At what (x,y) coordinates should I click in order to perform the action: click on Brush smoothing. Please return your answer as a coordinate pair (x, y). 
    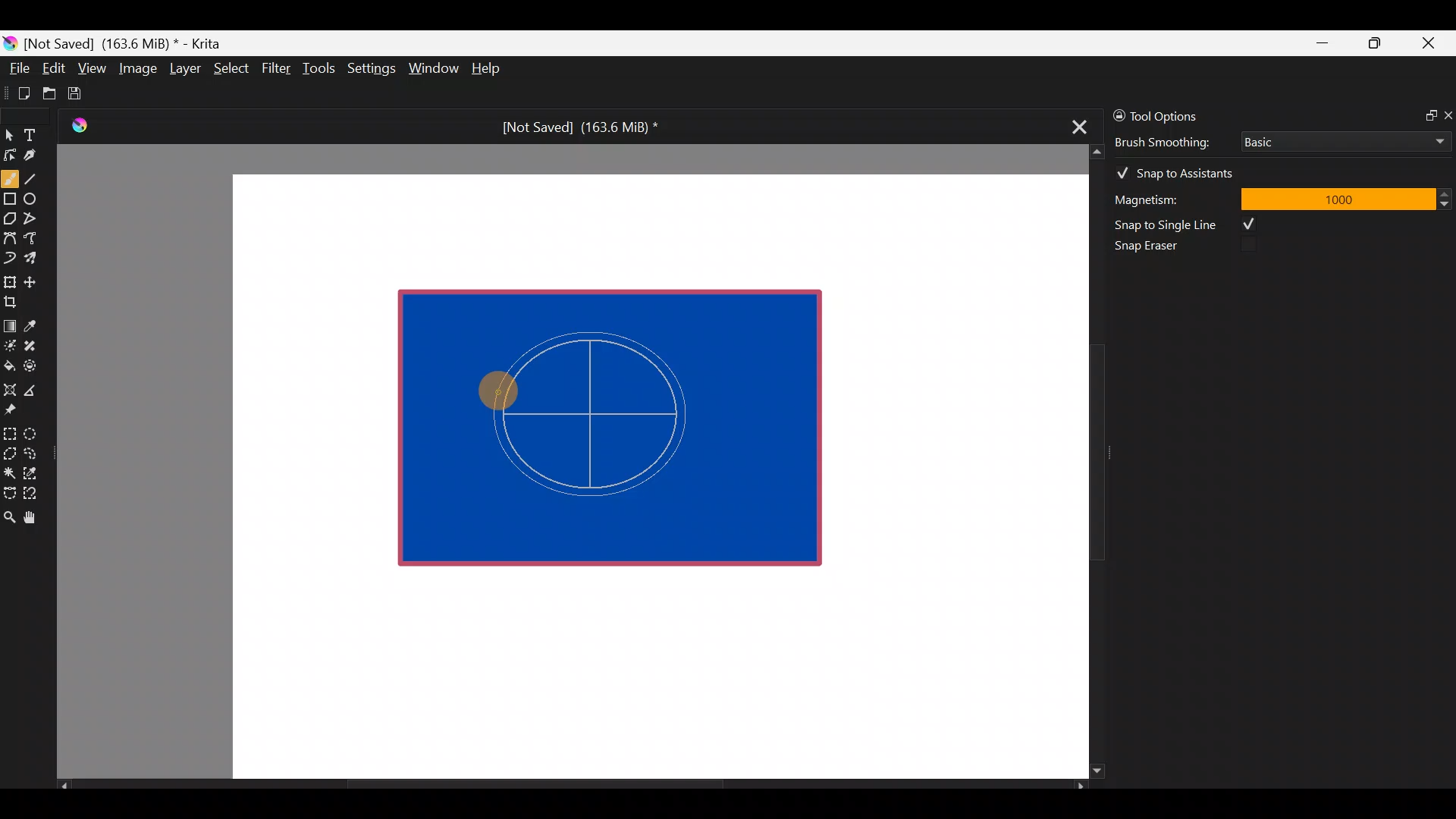
    Looking at the image, I should click on (1172, 141).